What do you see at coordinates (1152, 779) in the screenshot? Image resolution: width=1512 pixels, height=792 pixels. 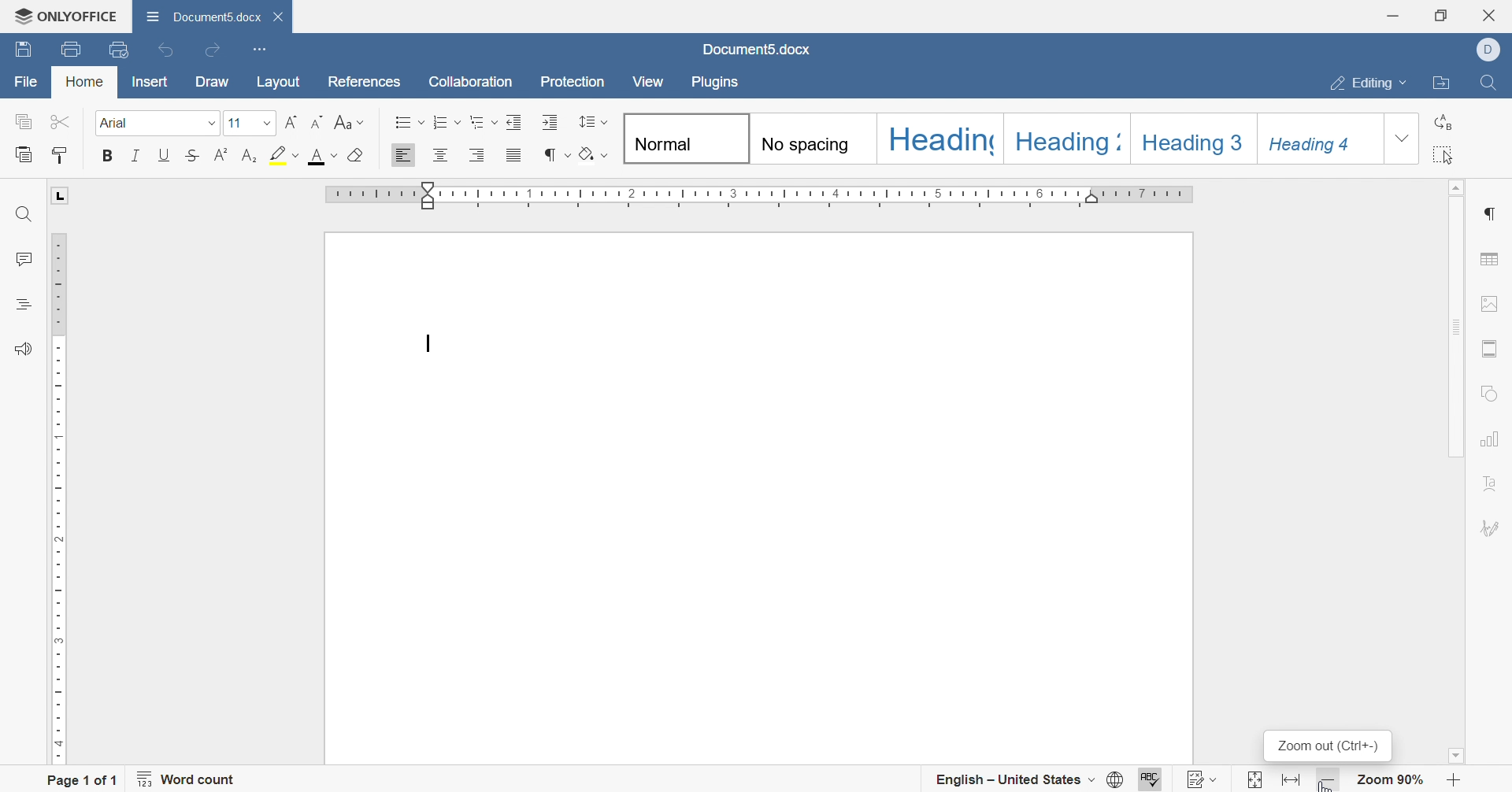 I see `spell checking` at bounding box center [1152, 779].